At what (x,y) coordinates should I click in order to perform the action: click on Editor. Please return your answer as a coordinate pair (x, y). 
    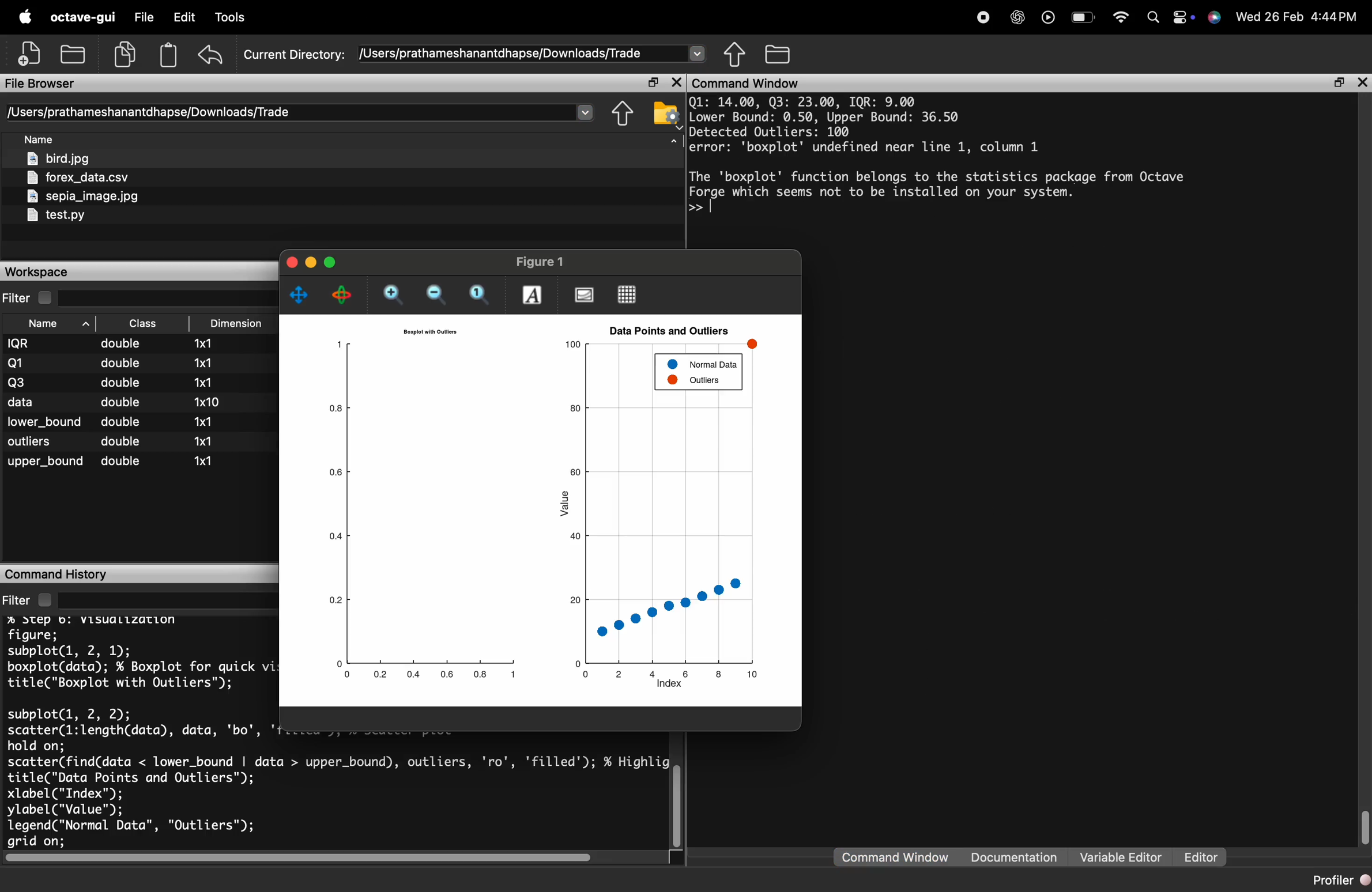
    Looking at the image, I should click on (1201, 857).